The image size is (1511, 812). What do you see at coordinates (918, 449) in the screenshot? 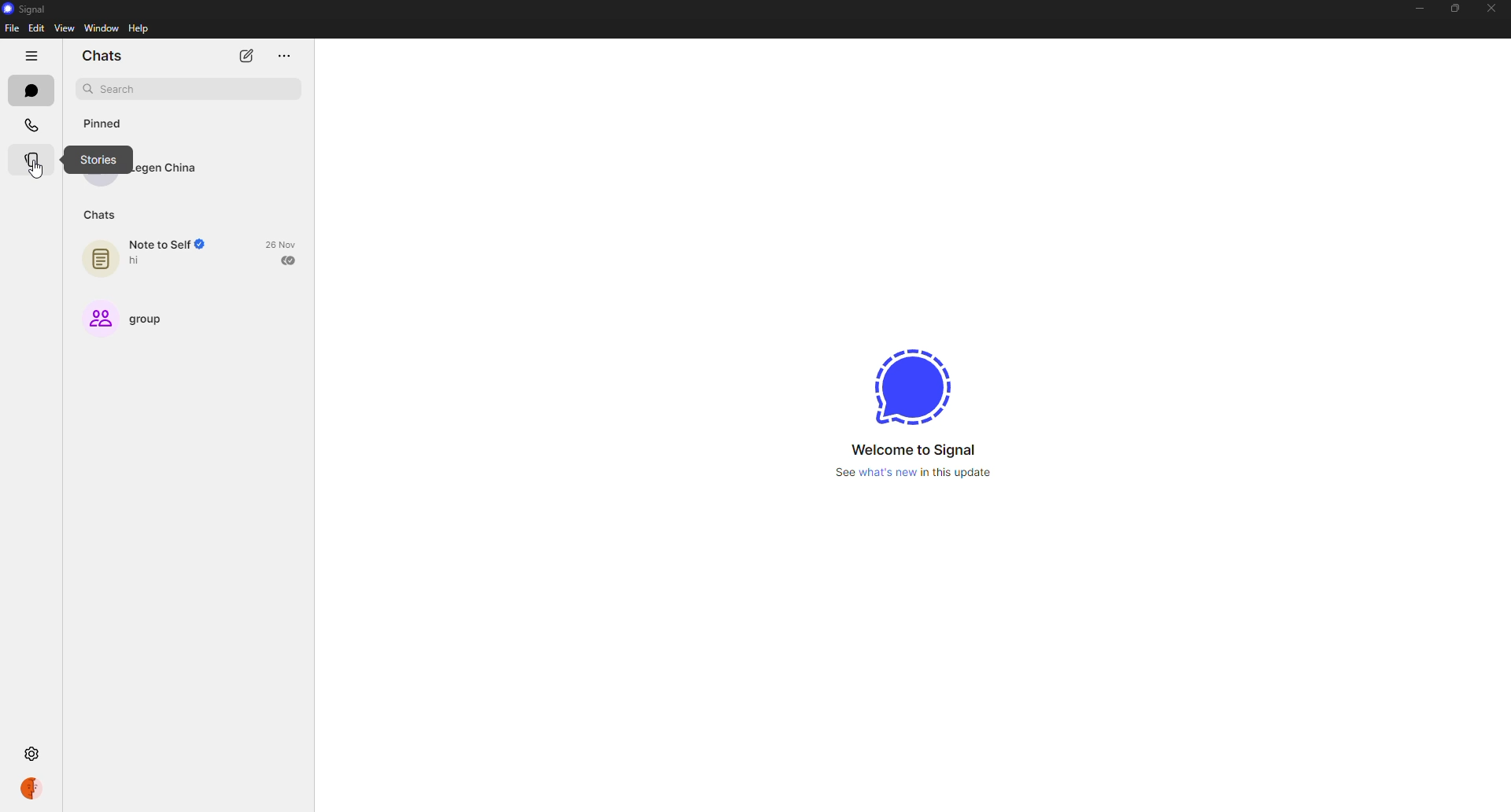
I see `welcome to signal` at bounding box center [918, 449].